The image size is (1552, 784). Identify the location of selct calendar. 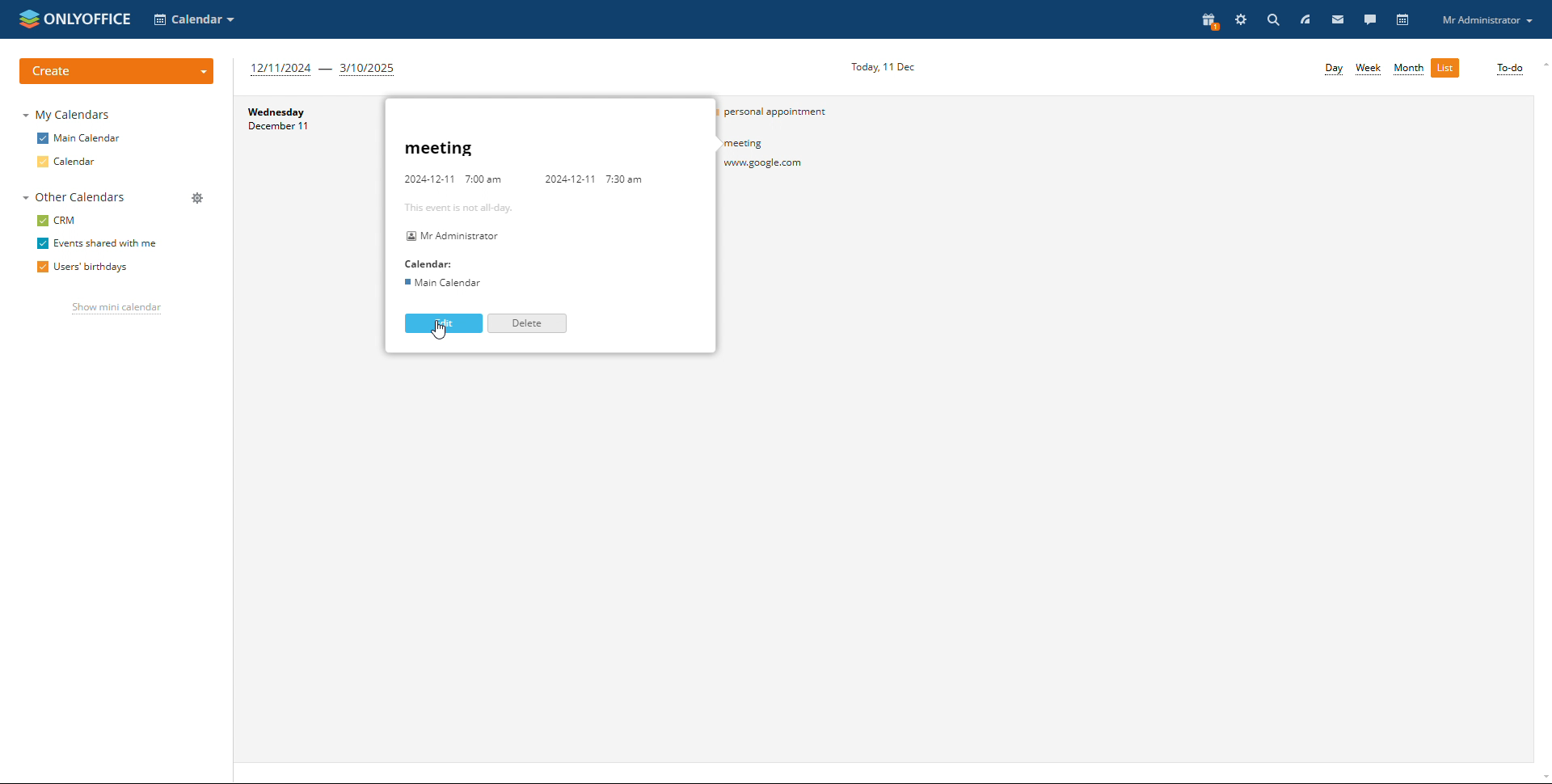
(194, 19).